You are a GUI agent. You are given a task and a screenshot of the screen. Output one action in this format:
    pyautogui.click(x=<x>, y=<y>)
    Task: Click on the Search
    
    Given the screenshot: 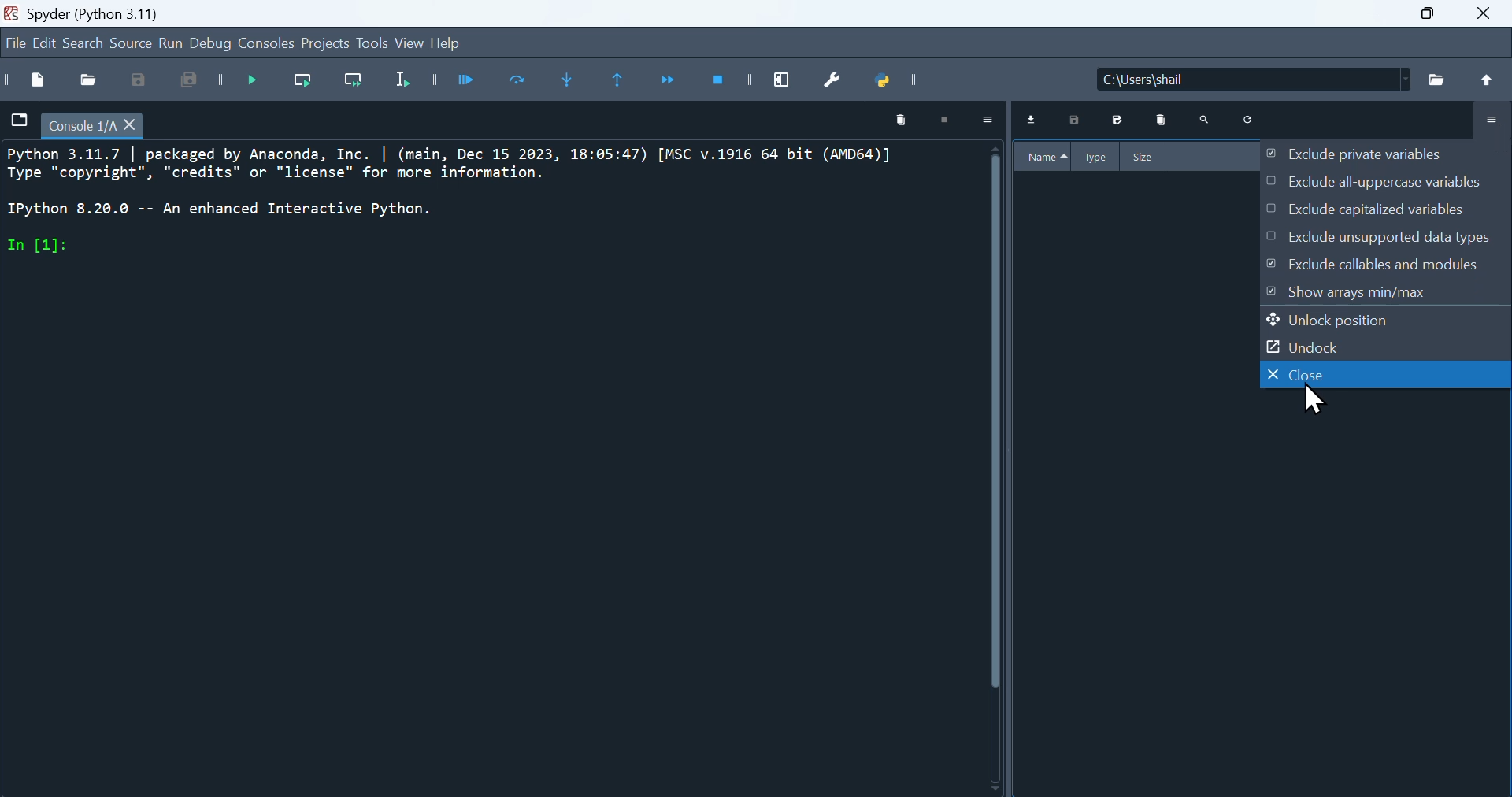 What is the action you would take?
    pyautogui.click(x=1204, y=121)
    